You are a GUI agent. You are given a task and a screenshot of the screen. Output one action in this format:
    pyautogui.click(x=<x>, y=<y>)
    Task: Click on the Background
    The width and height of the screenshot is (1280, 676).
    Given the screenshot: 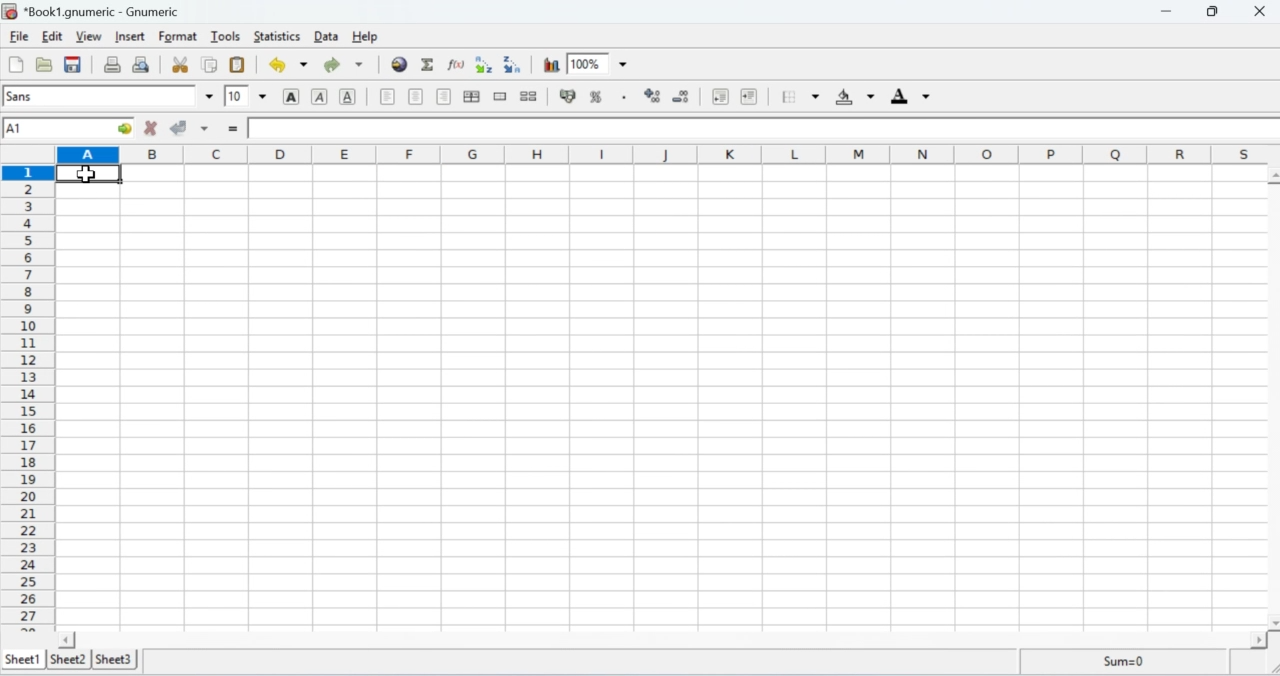 What is the action you would take?
    pyautogui.click(x=855, y=99)
    